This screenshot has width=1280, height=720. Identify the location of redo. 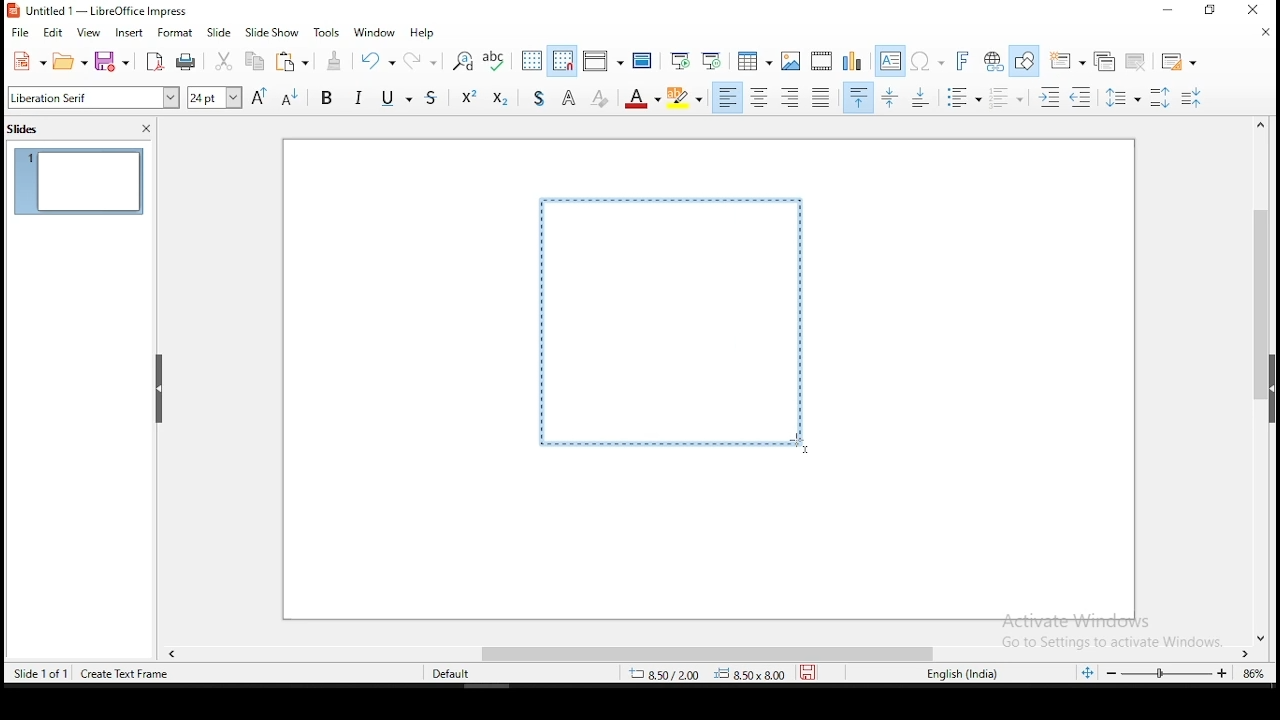
(423, 59).